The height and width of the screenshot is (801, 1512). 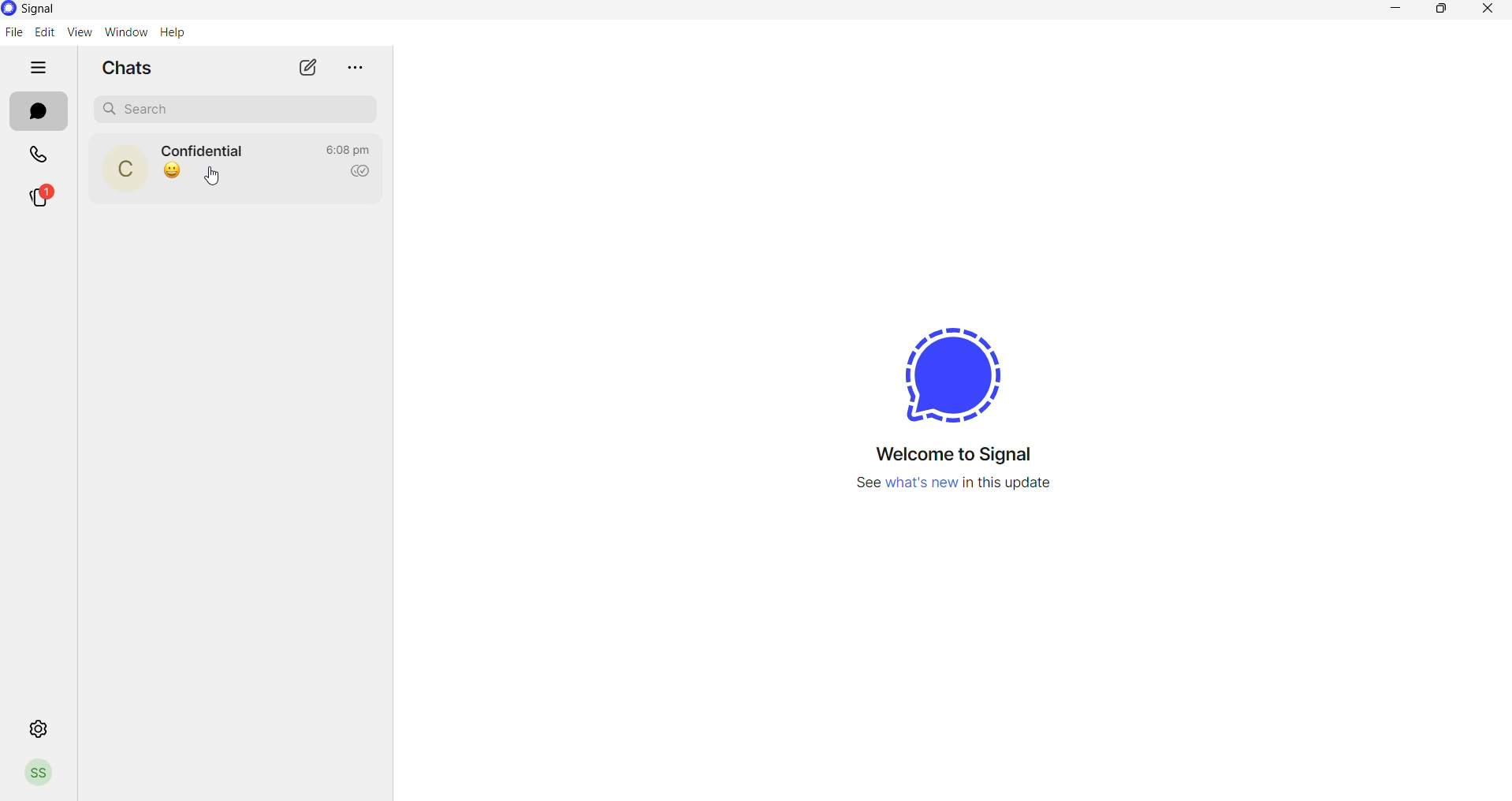 What do you see at coordinates (177, 32) in the screenshot?
I see `Help` at bounding box center [177, 32].